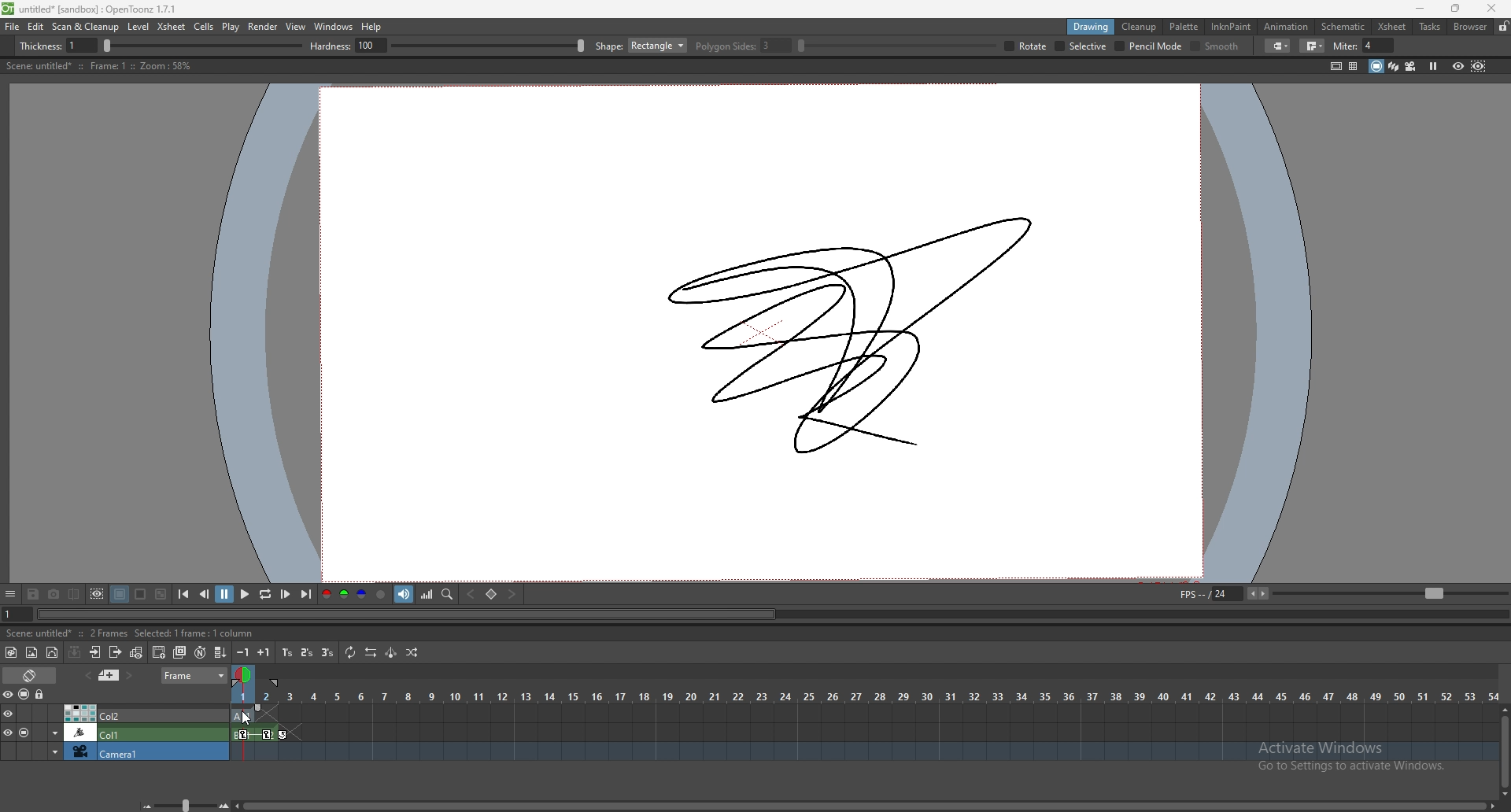  What do you see at coordinates (36, 26) in the screenshot?
I see `edit` at bounding box center [36, 26].